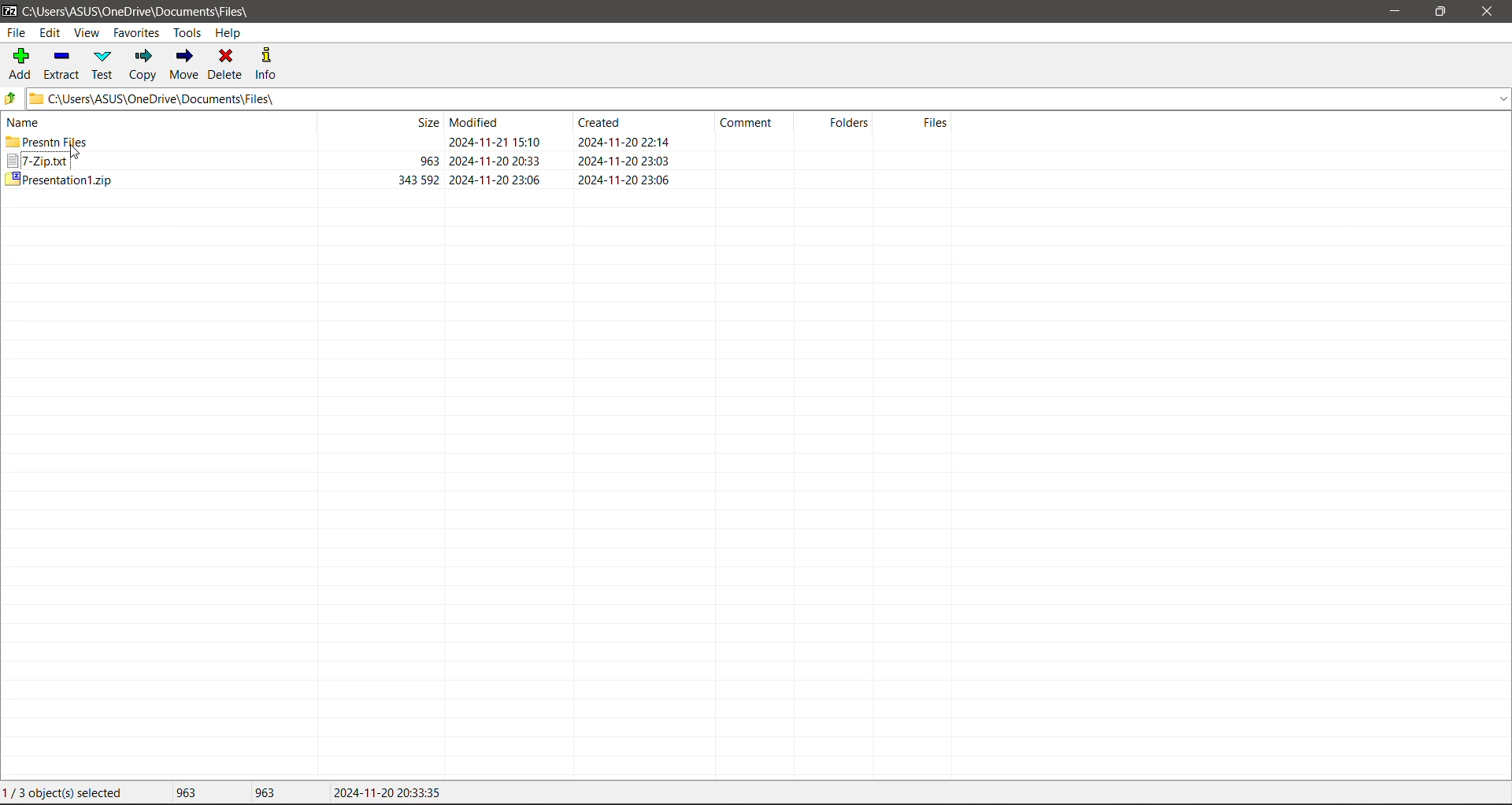 The image size is (1512, 805). What do you see at coordinates (601, 119) in the screenshot?
I see `Crested` at bounding box center [601, 119].